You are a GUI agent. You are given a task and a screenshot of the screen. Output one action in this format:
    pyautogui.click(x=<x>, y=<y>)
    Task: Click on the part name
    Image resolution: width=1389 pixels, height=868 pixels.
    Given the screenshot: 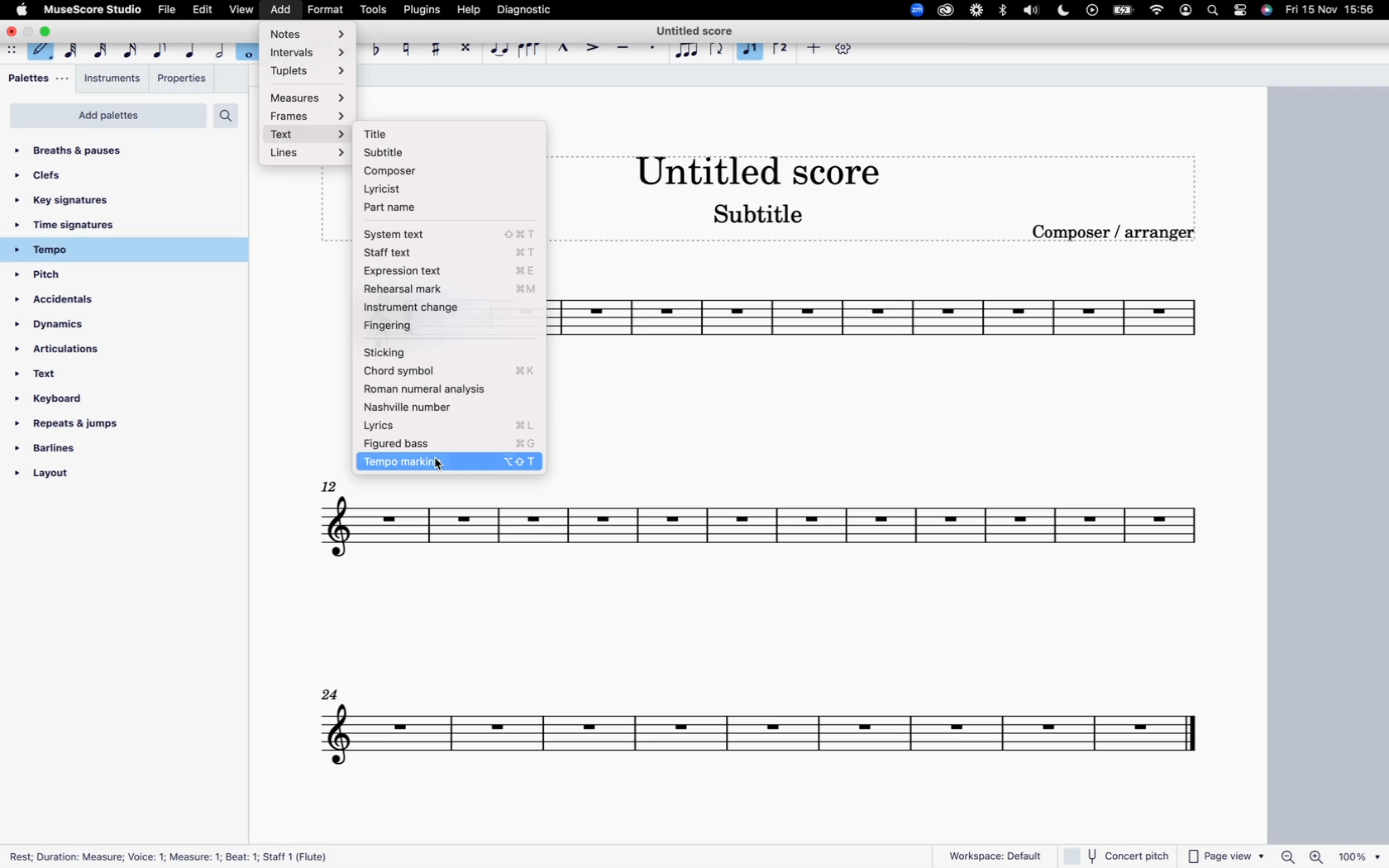 What is the action you would take?
    pyautogui.click(x=412, y=210)
    